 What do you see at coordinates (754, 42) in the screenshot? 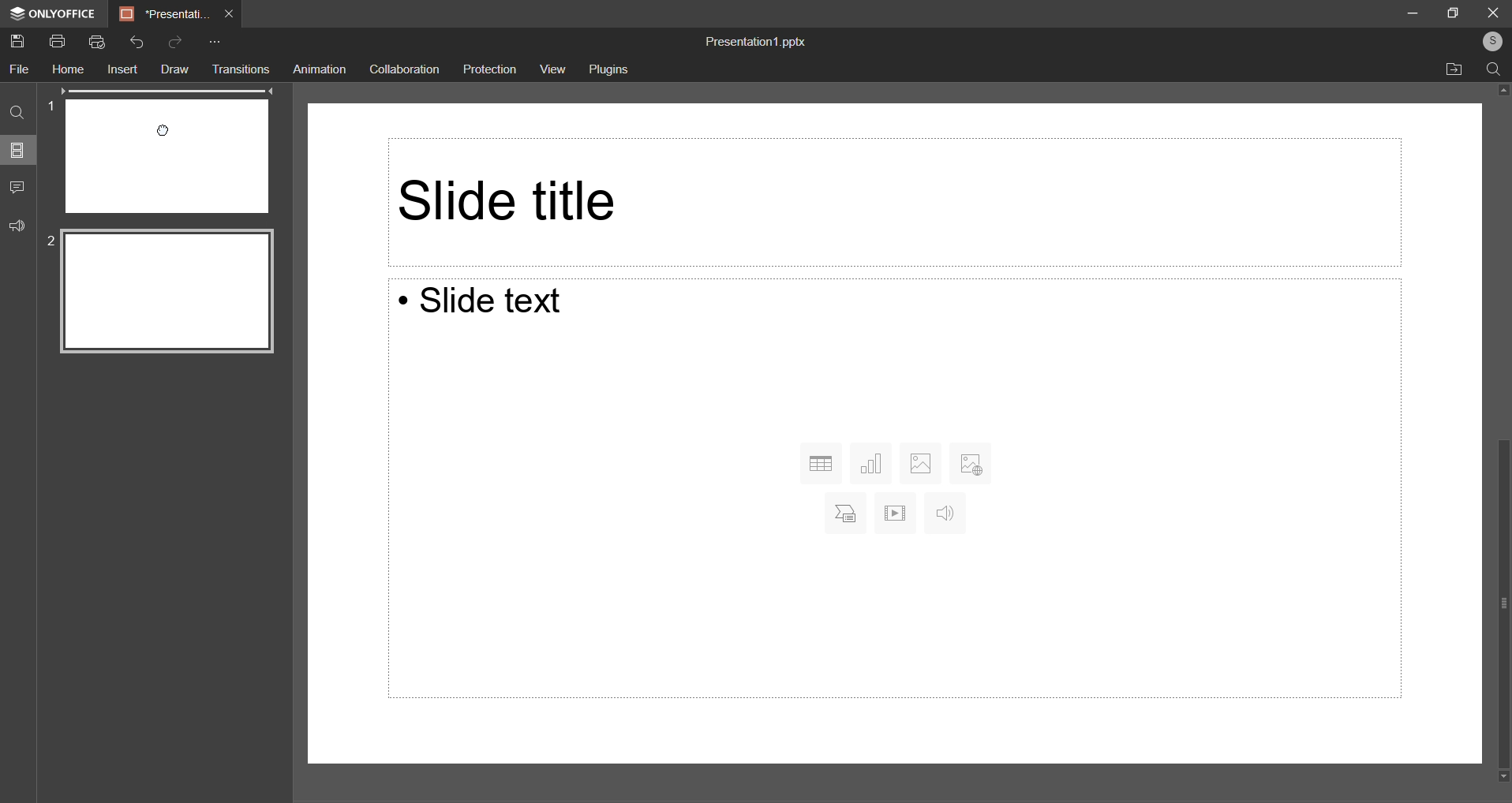
I see `Presentation1.pptx` at bounding box center [754, 42].